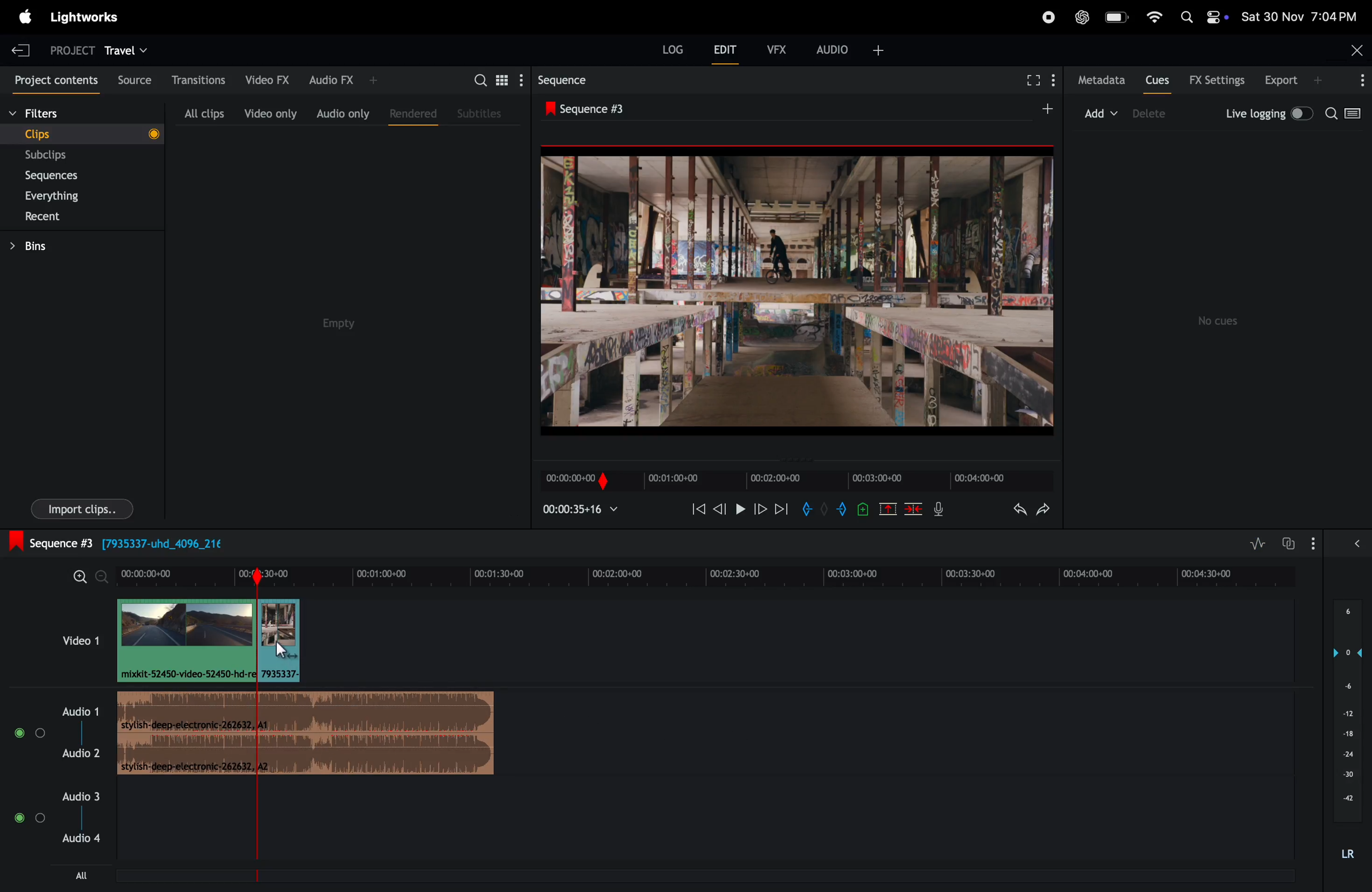 This screenshot has height=892, width=1372. What do you see at coordinates (1344, 754) in the screenshot?
I see `-24 (layers)` at bounding box center [1344, 754].